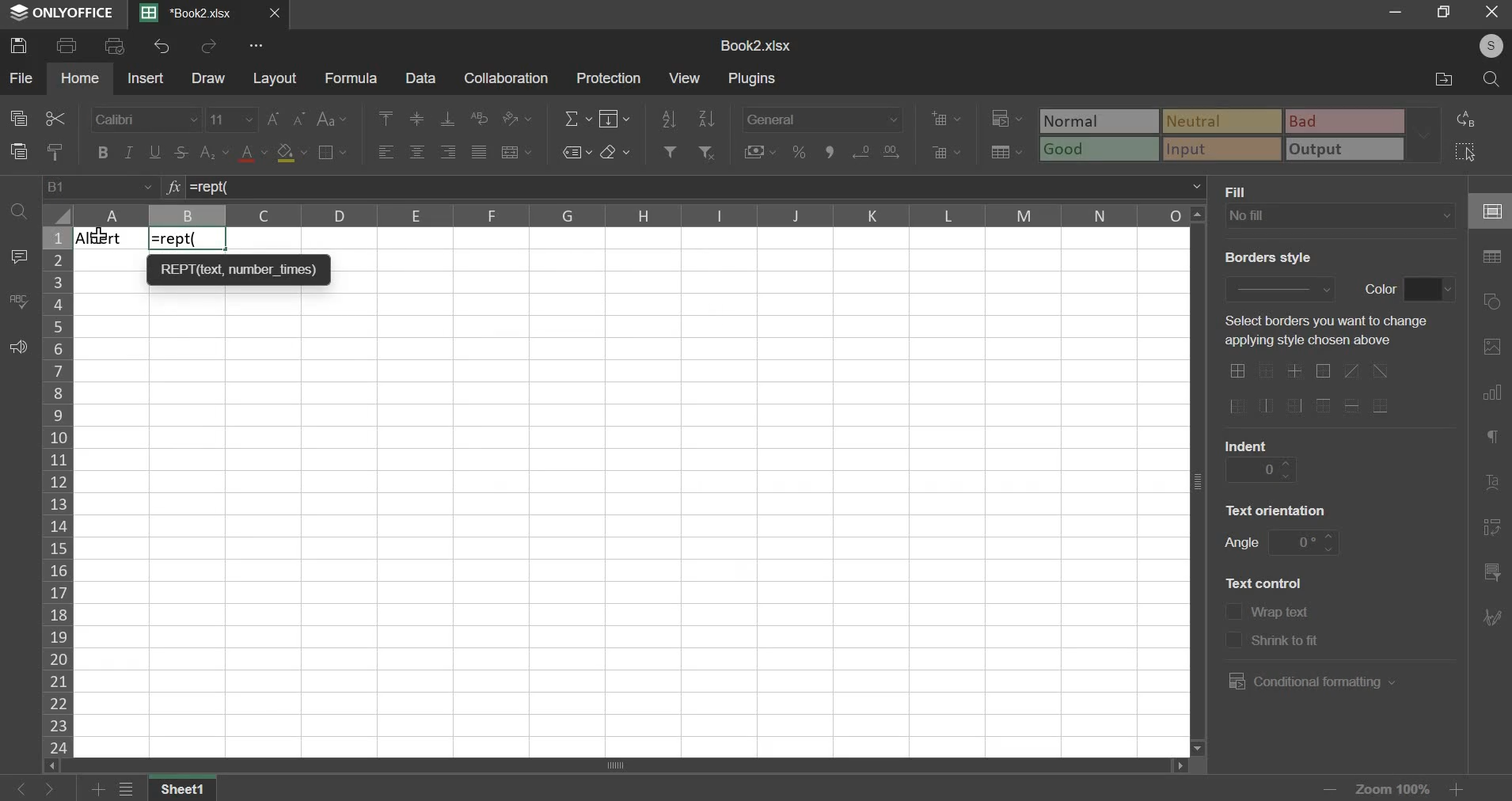 The image size is (1512, 801). I want to click on cursor, so click(104, 236).